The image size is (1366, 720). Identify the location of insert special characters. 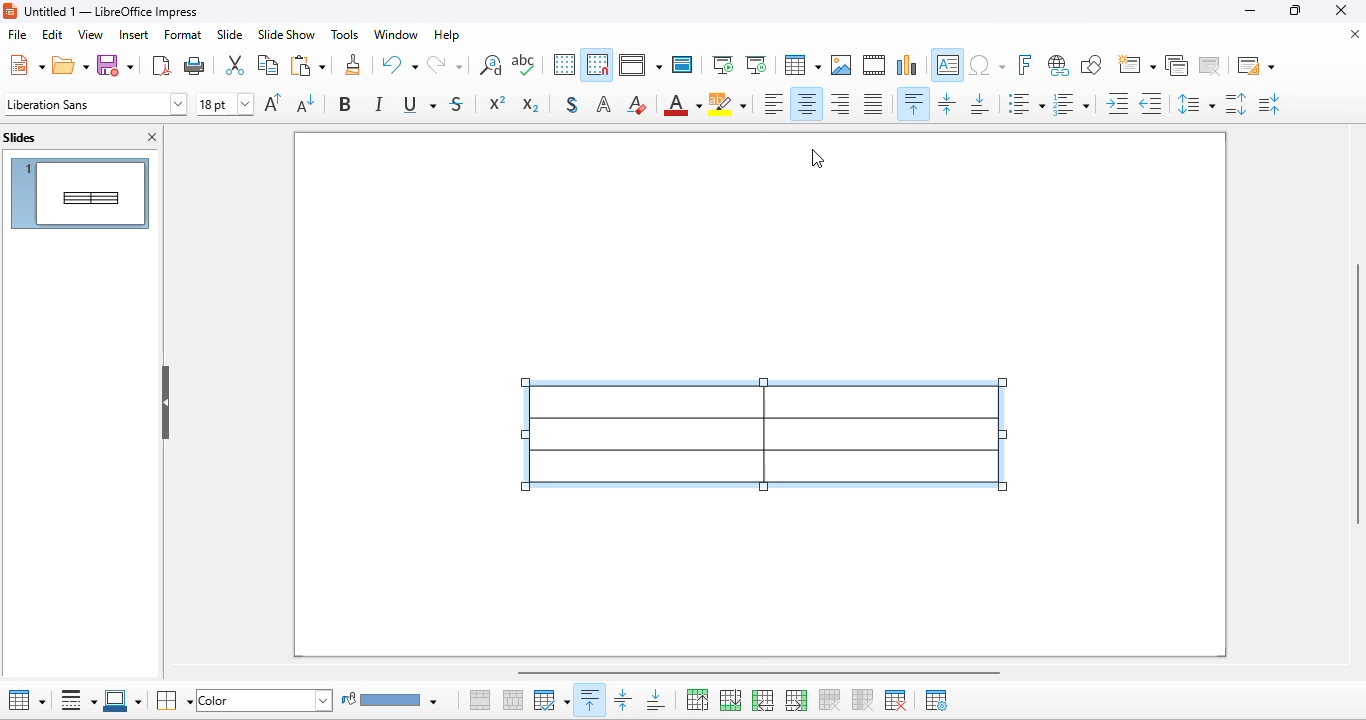
(987, 65).